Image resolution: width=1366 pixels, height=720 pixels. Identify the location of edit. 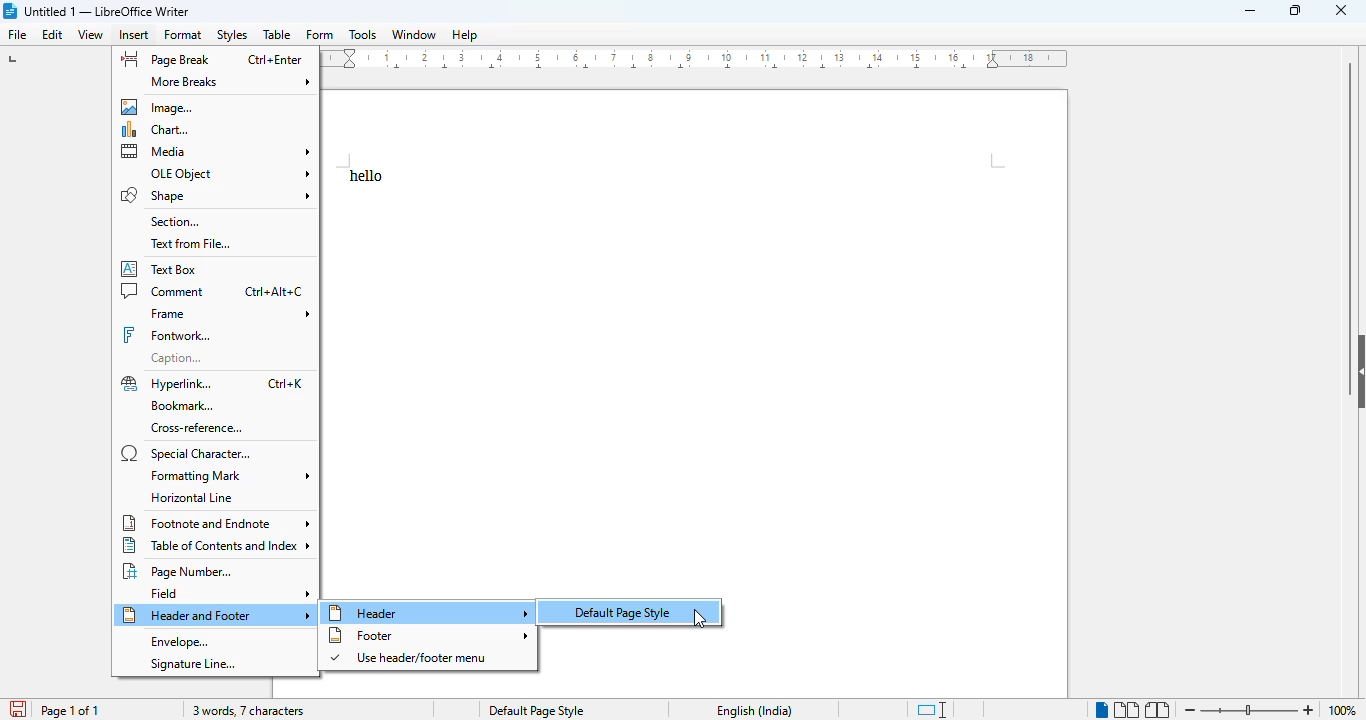
(53, 34).